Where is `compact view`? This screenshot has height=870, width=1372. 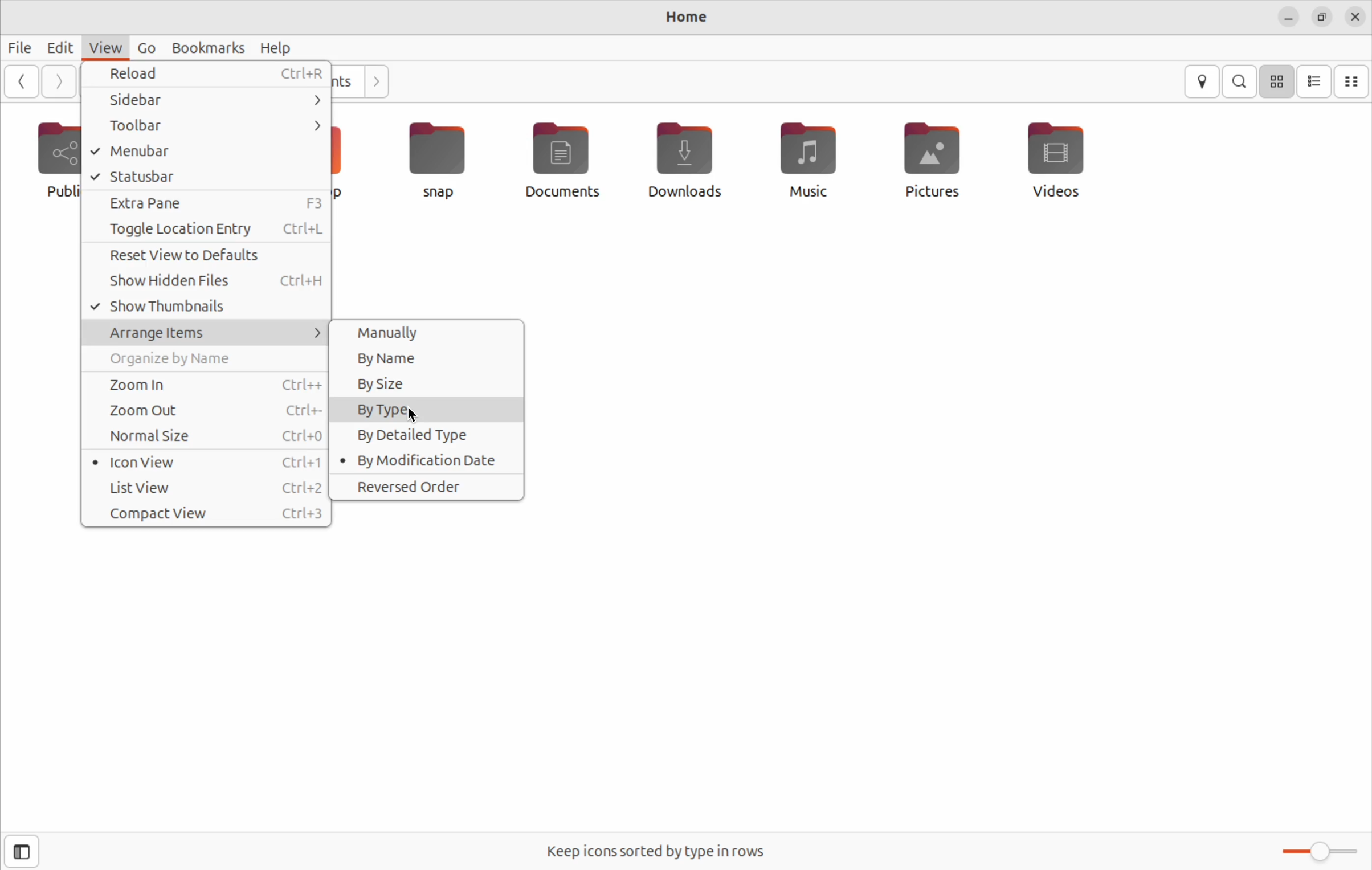 compact view is located at coordinates (1353, 80).